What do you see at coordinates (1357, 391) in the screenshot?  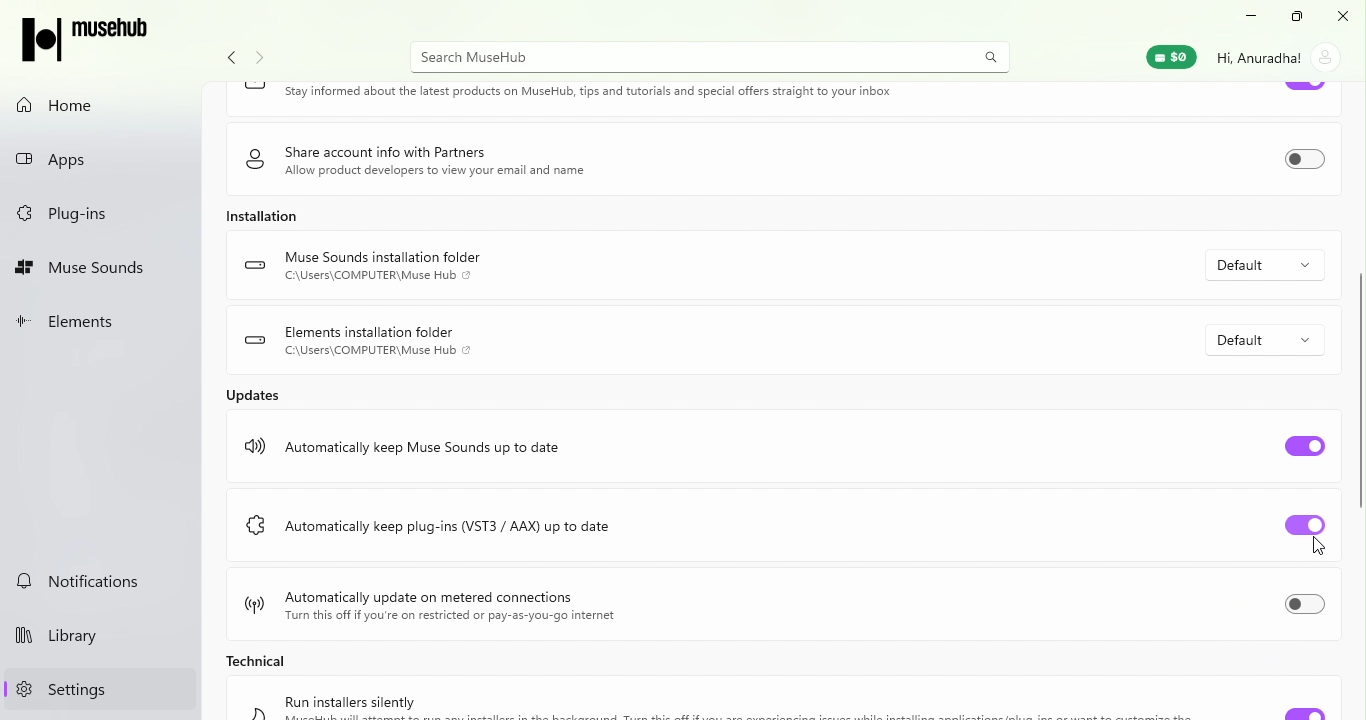 I see `scroll bar` at bounding box center [1357, 391].